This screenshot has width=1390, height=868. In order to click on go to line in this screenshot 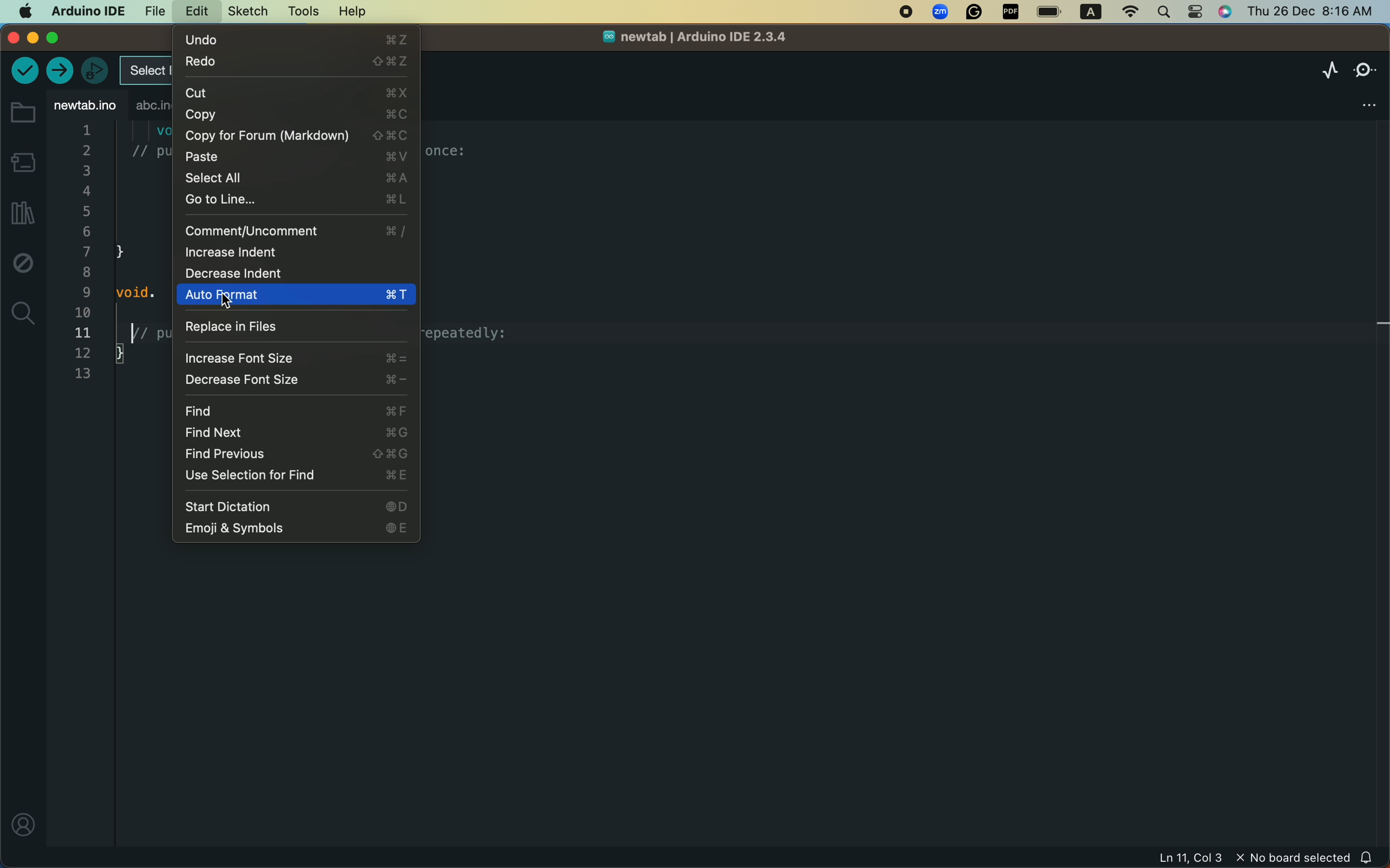, I will do `click(295, 199)`.